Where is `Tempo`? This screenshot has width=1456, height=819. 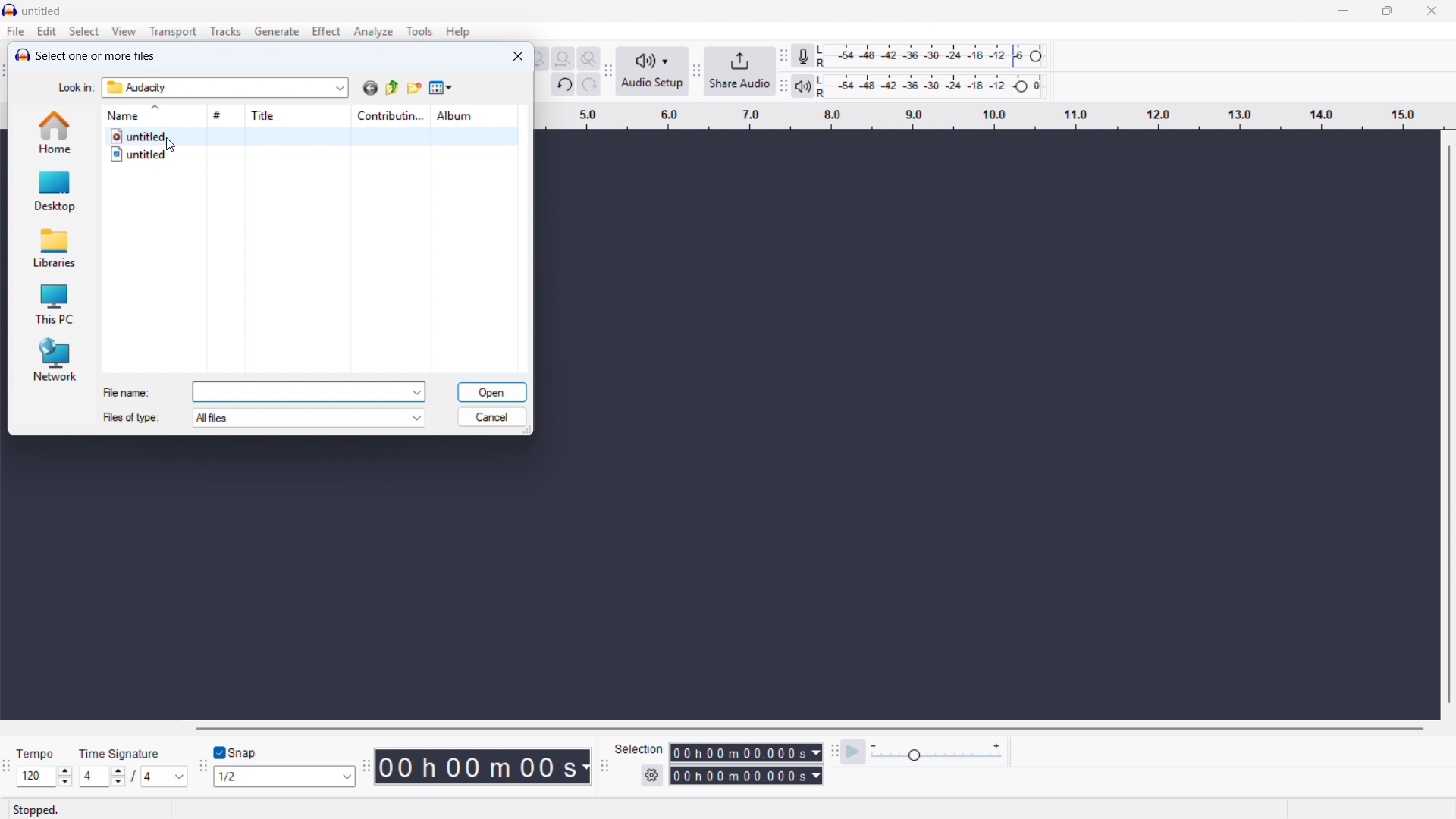 Tempo is located at coordinates (39, 754).